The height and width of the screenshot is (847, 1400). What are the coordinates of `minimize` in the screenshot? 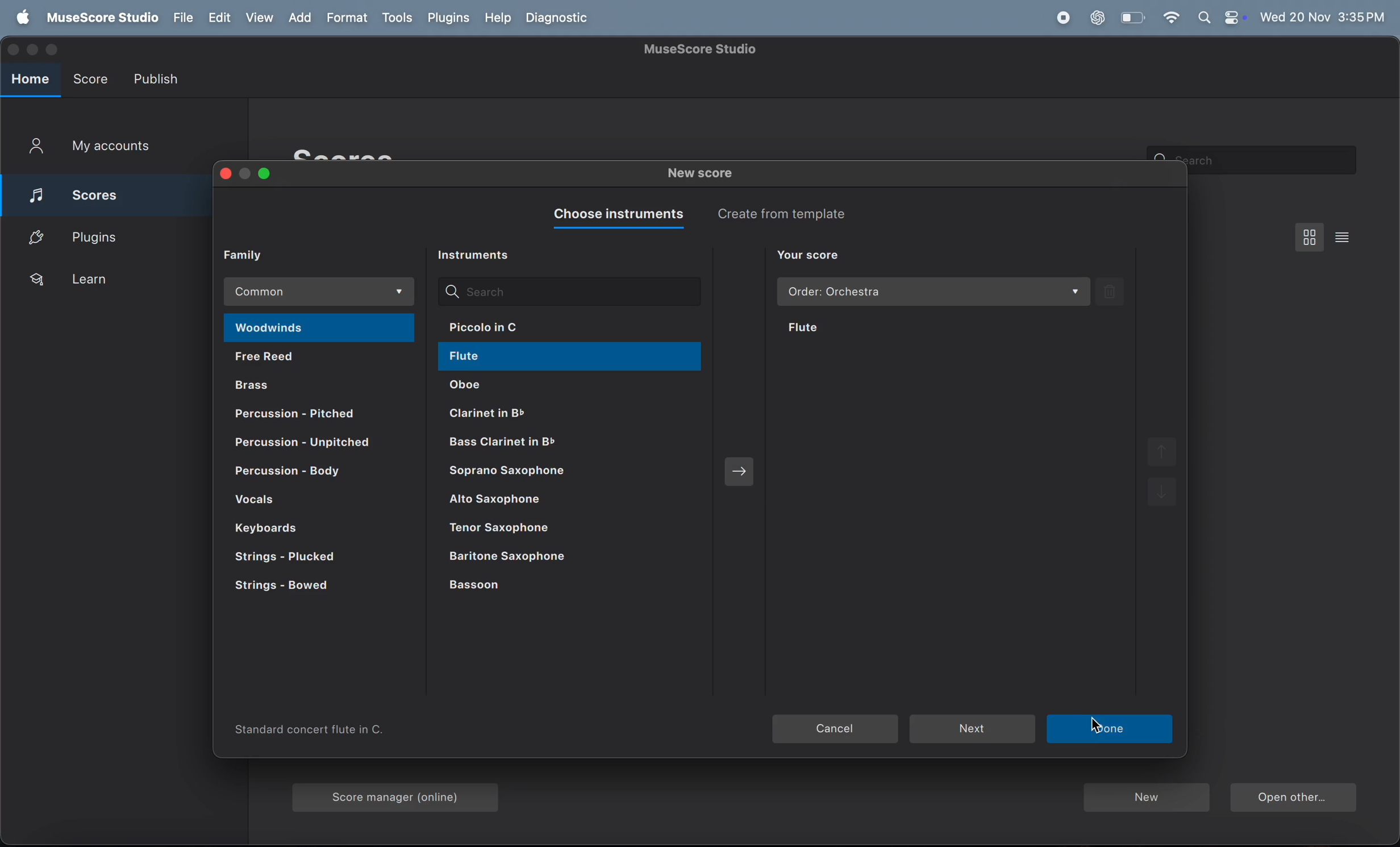 It's located at (35, 48).